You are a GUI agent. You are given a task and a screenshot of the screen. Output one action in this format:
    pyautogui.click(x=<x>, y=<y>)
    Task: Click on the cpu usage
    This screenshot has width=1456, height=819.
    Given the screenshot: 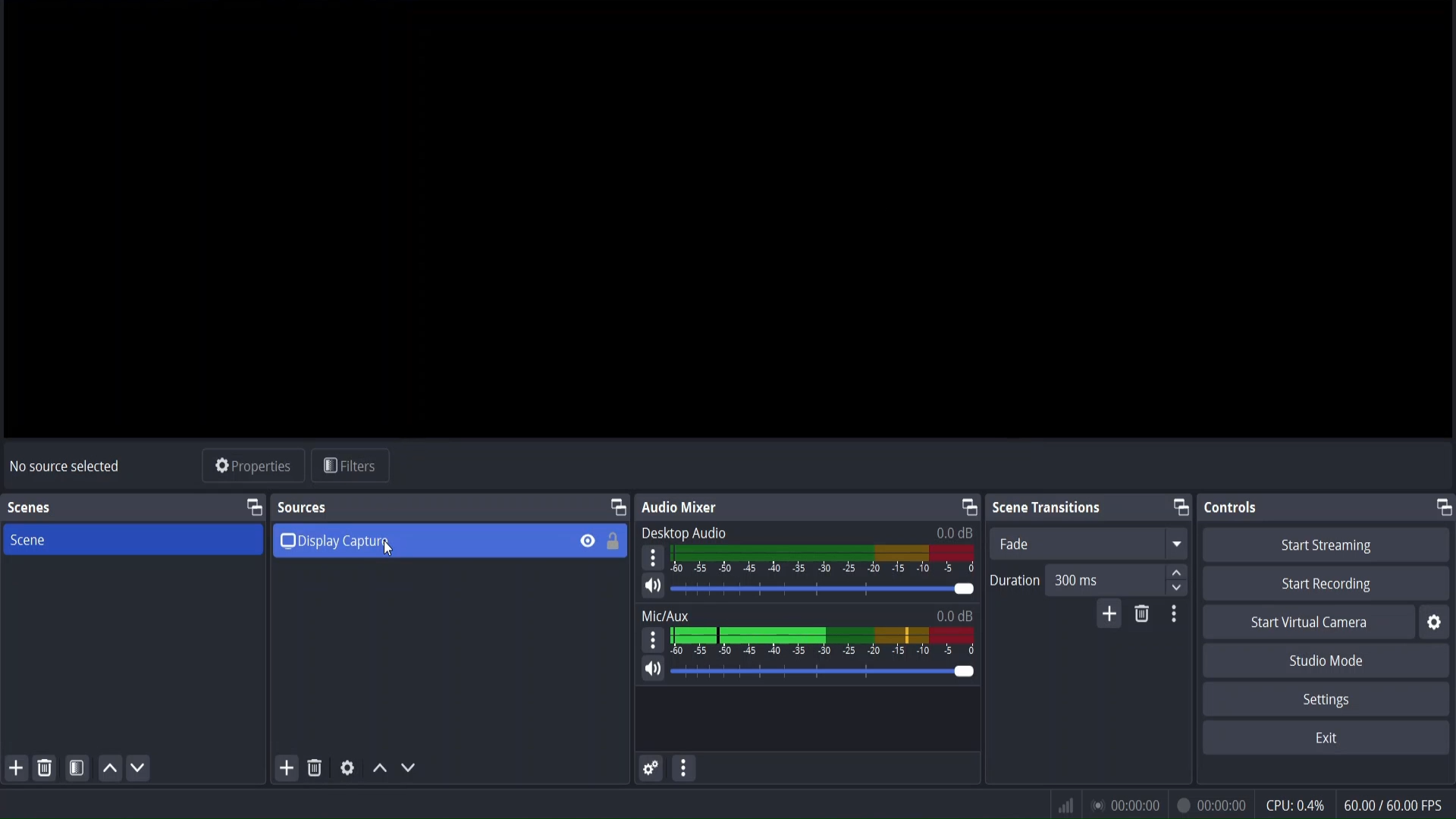 What is the action you would take?
    pyautogui.click(x=1294, y=805)
    